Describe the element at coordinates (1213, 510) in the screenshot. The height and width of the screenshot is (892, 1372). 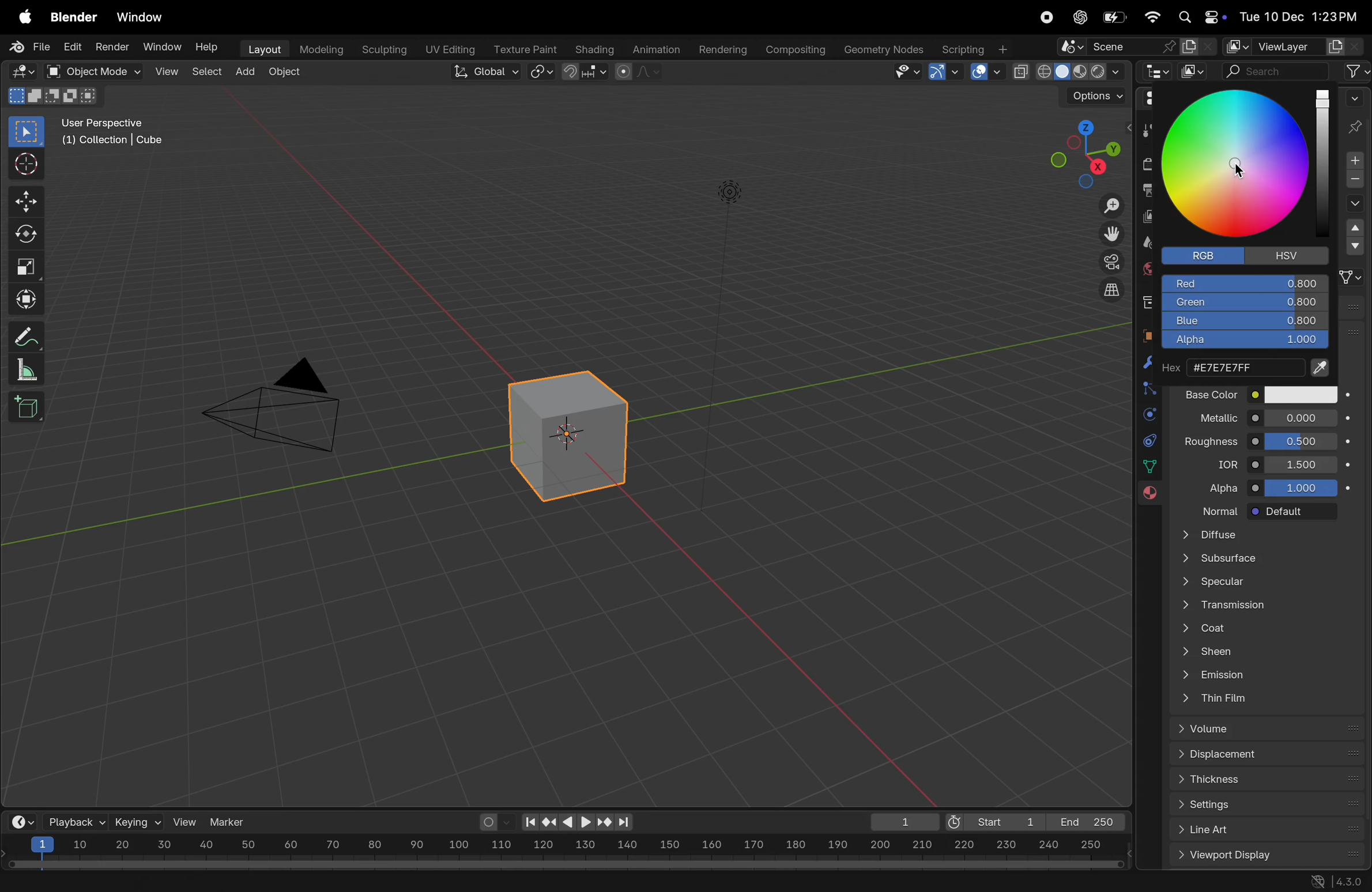
I see `normal` at that location.